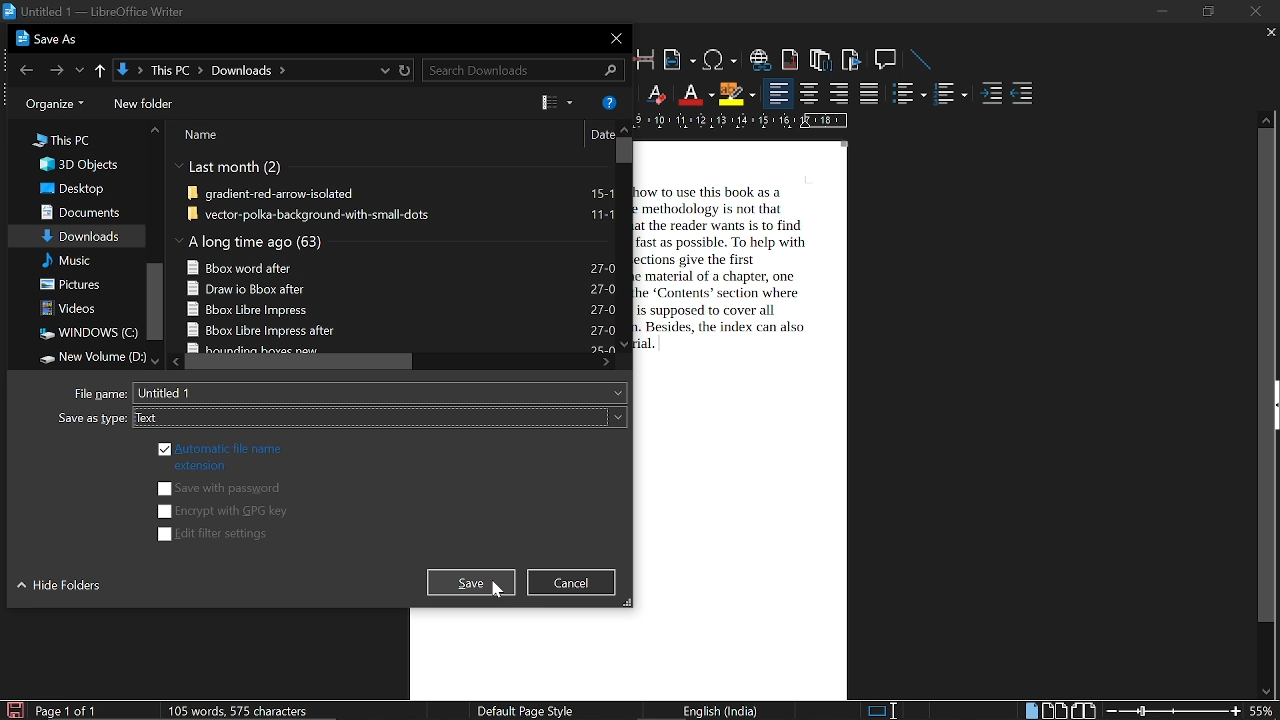 The image size is (1280, 720). What do you see at coordinates (1030, 710) in the screenshot?
I see `single page view` at bounding box center [1030, 710].